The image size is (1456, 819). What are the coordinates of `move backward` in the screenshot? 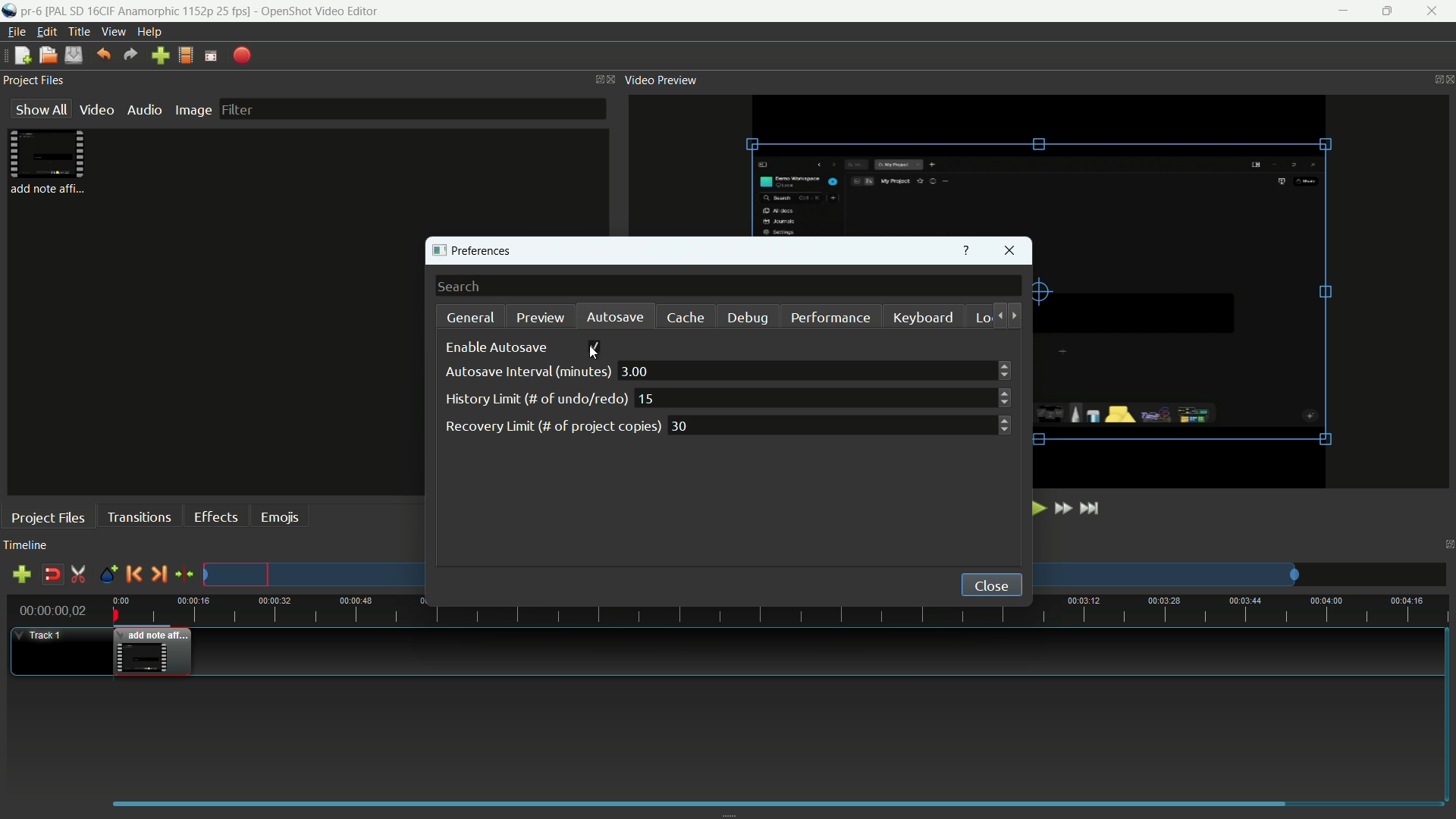 It's located at (996, 315).